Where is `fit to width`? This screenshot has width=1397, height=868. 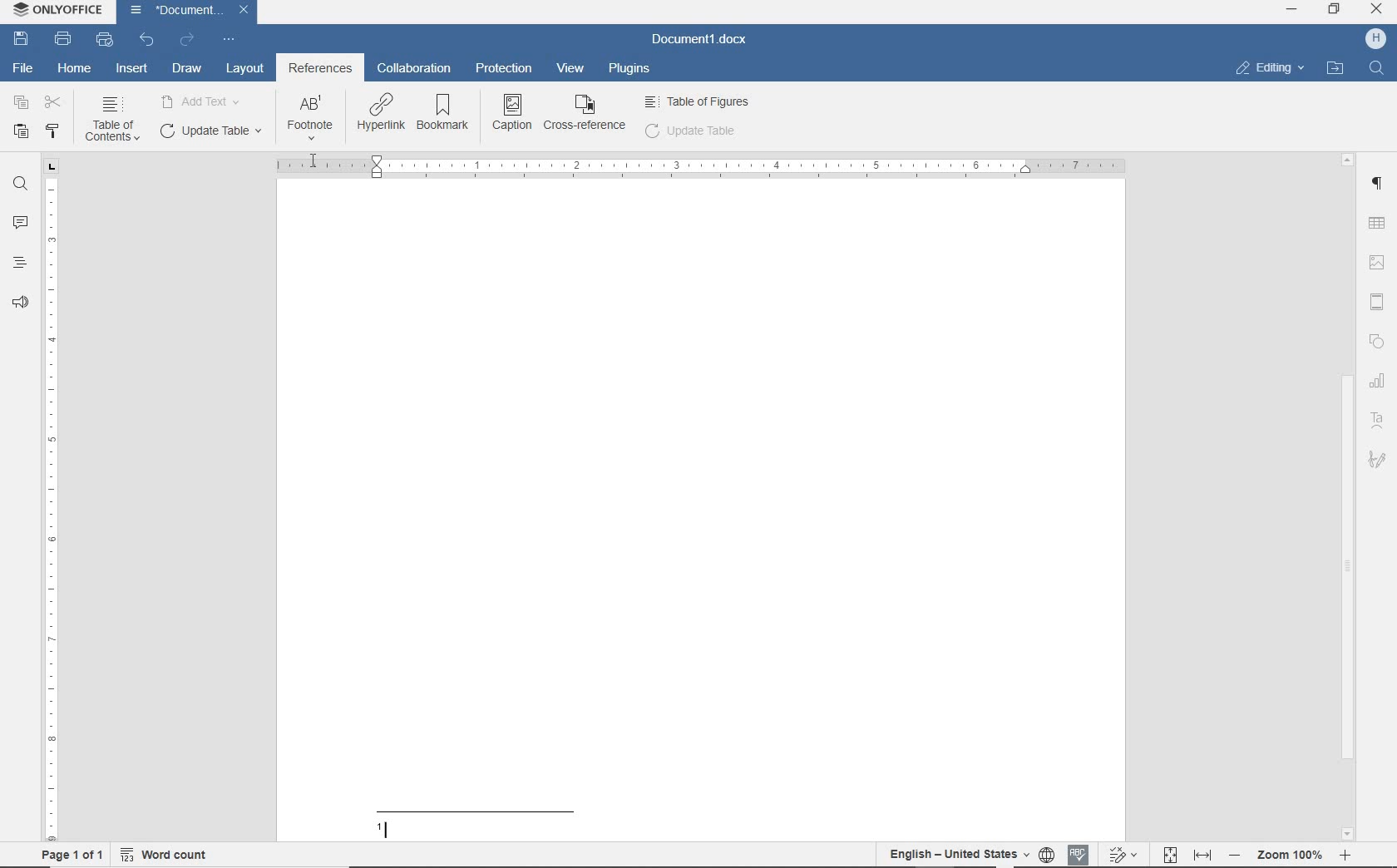
fit to width is located at coordinates (1206, 856).